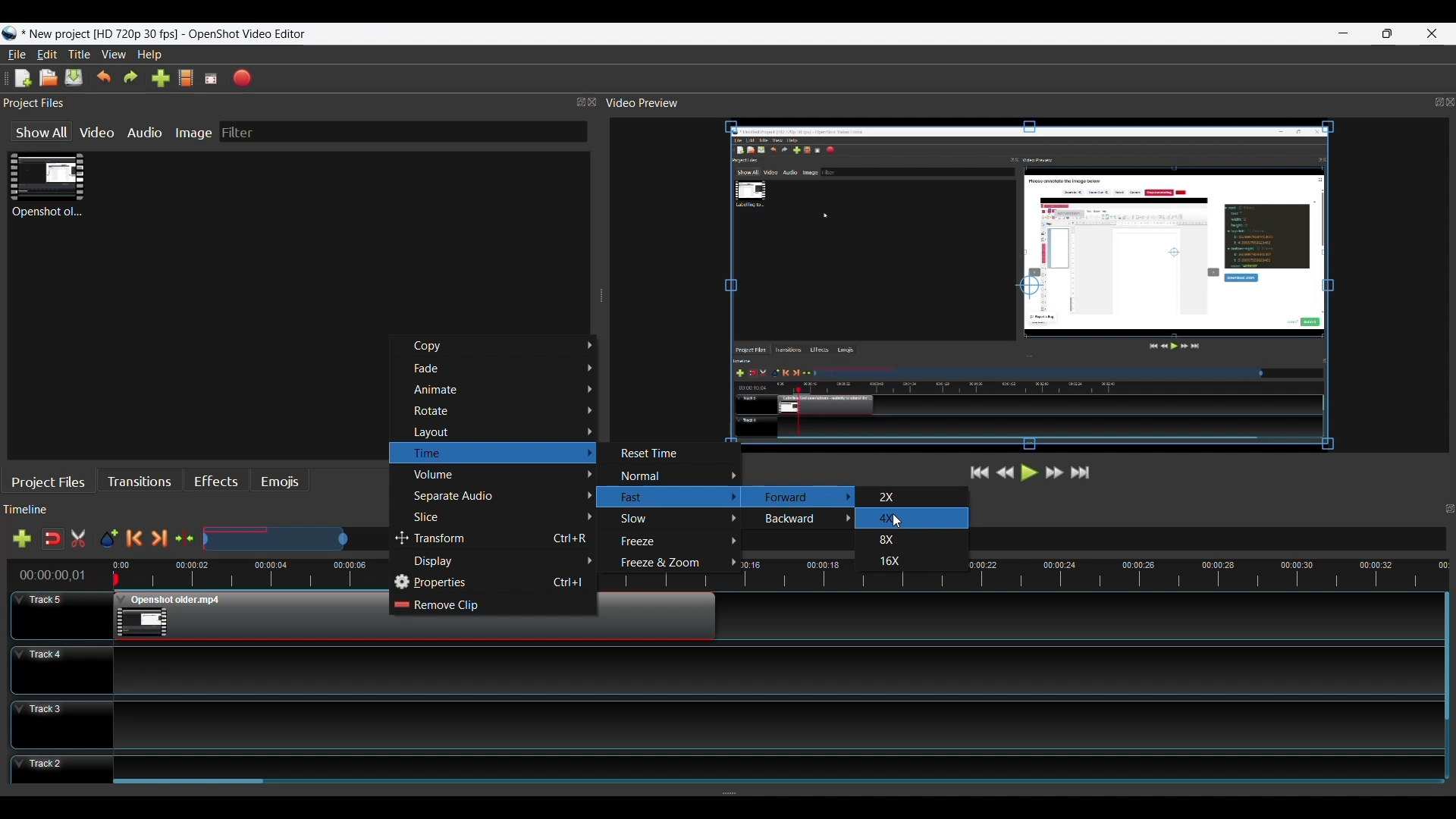  Describe the element at coordinates (773, 723) in the screenshot. I see `Track Panel` at that location.